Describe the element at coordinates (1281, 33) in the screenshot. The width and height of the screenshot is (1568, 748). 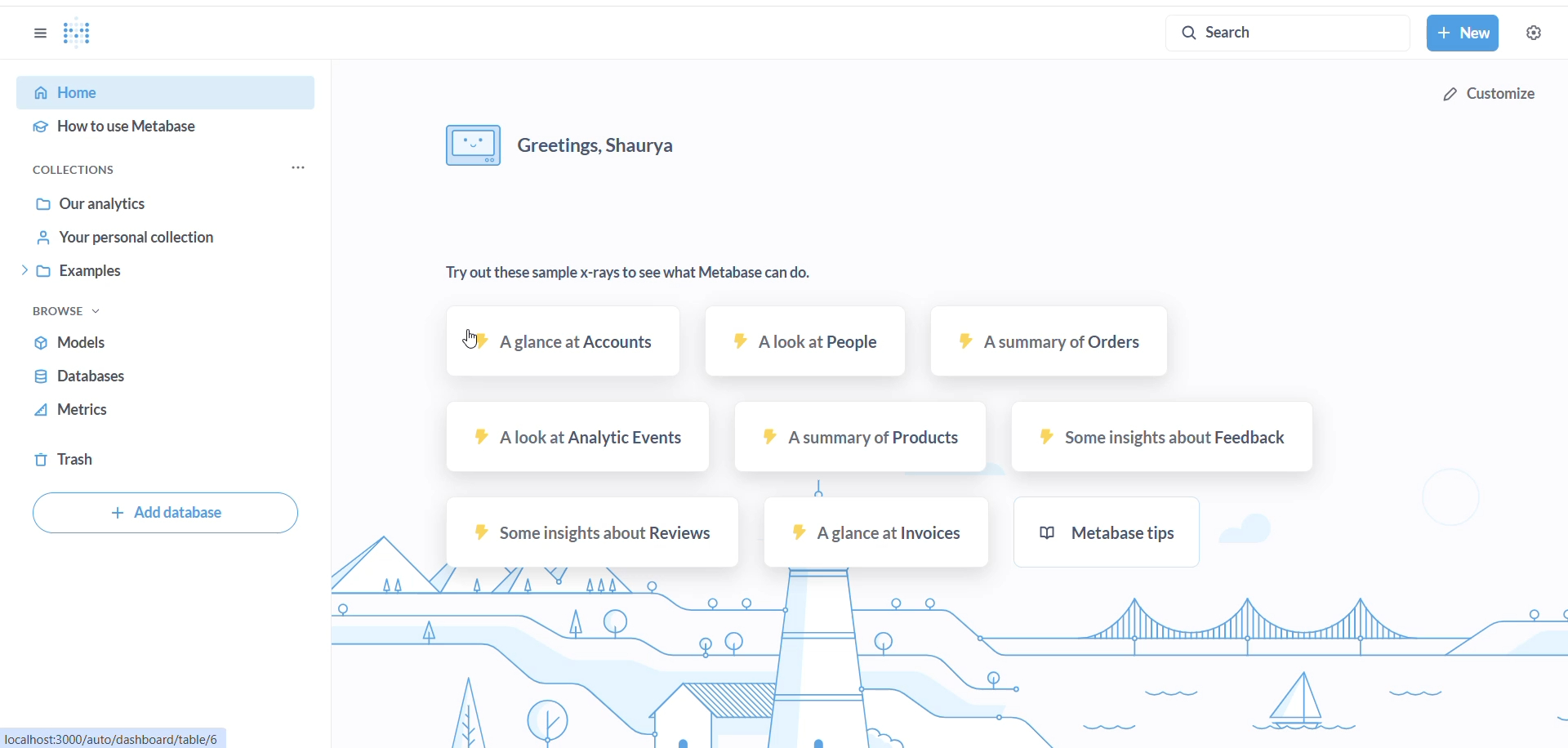
I see `search bar` at that location.